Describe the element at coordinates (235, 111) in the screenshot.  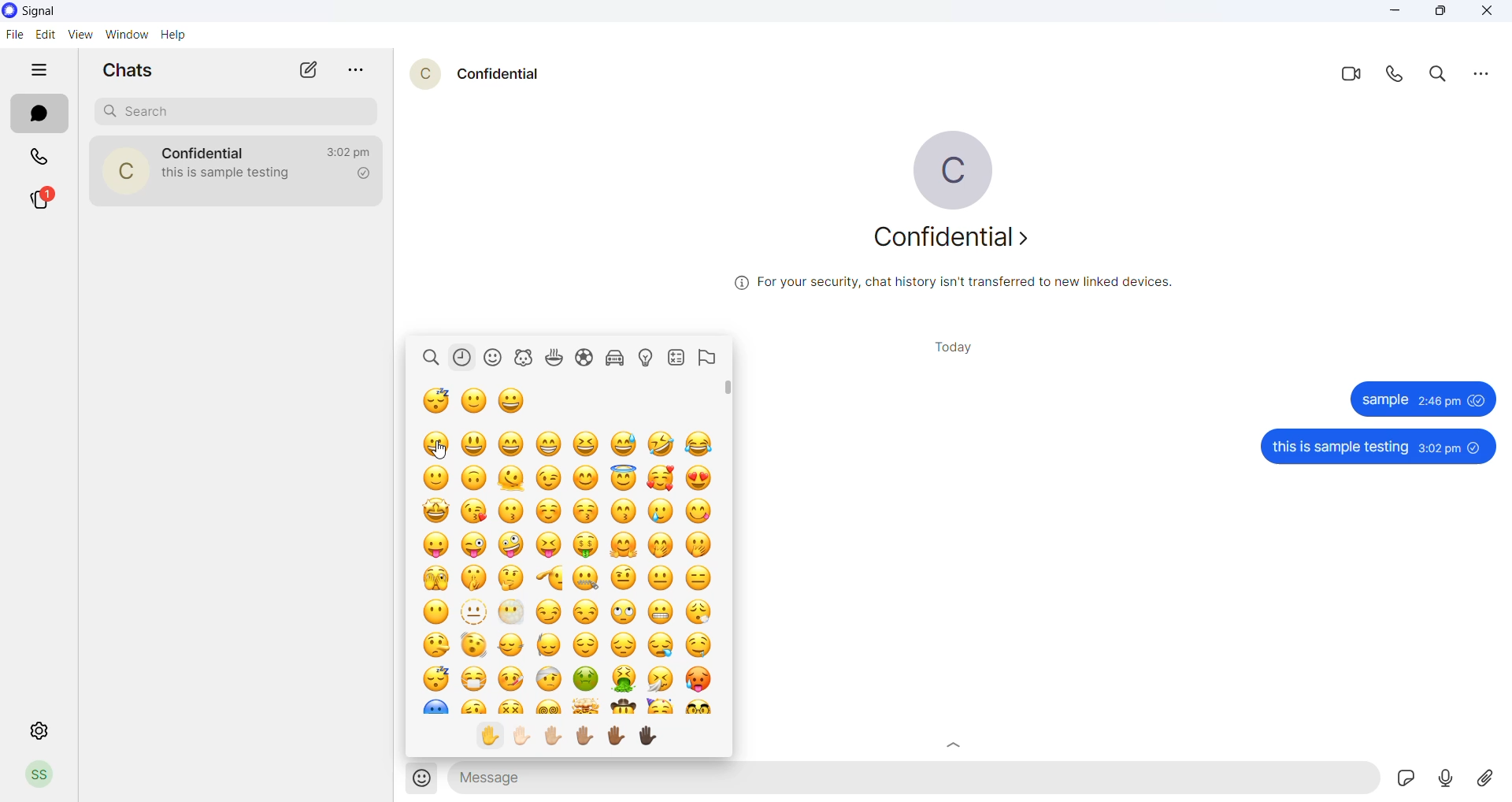
I see `search chats` at that location.